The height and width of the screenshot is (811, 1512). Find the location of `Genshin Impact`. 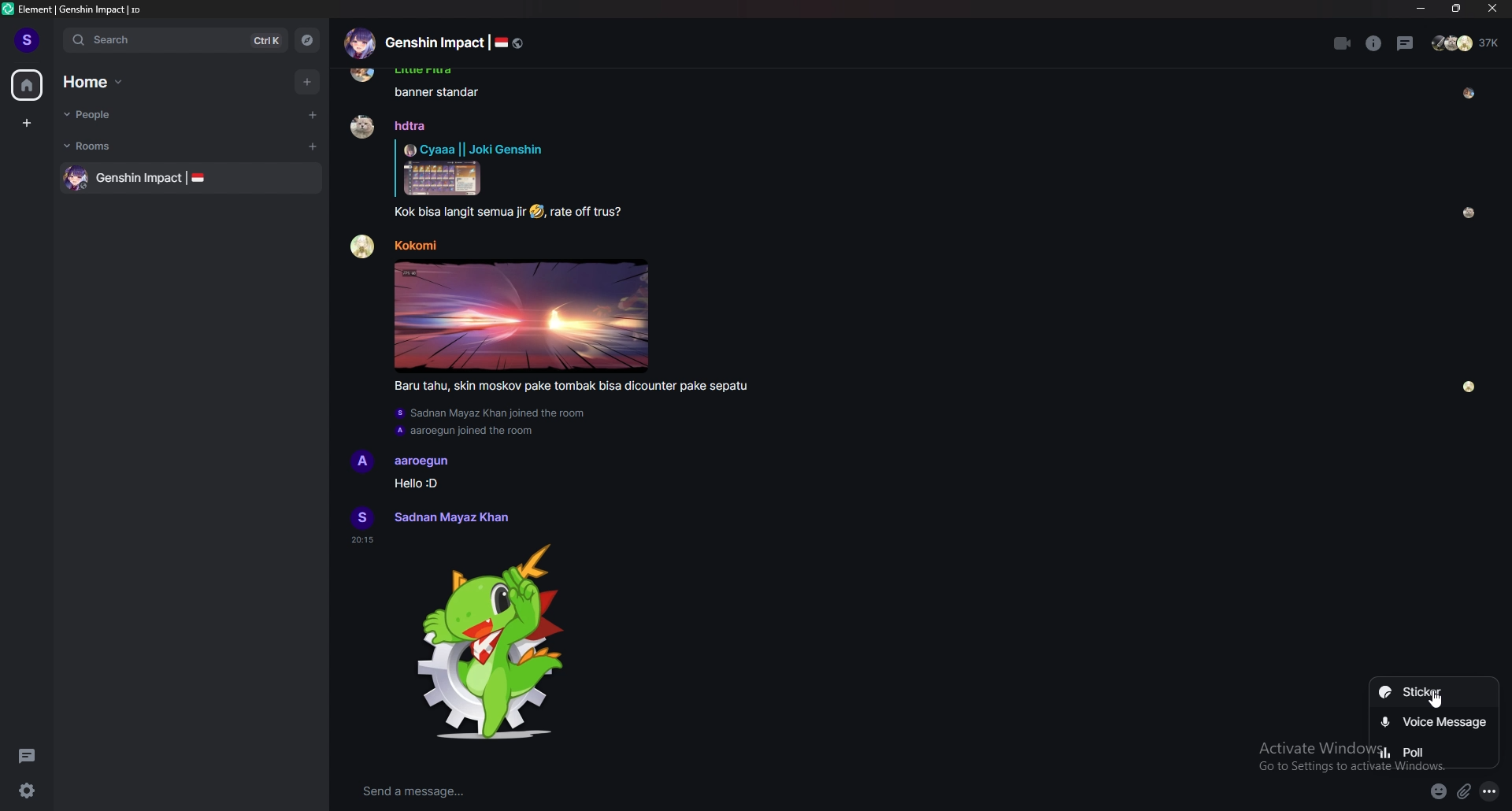

Genshin Impact is located at coordinates (139, 179).